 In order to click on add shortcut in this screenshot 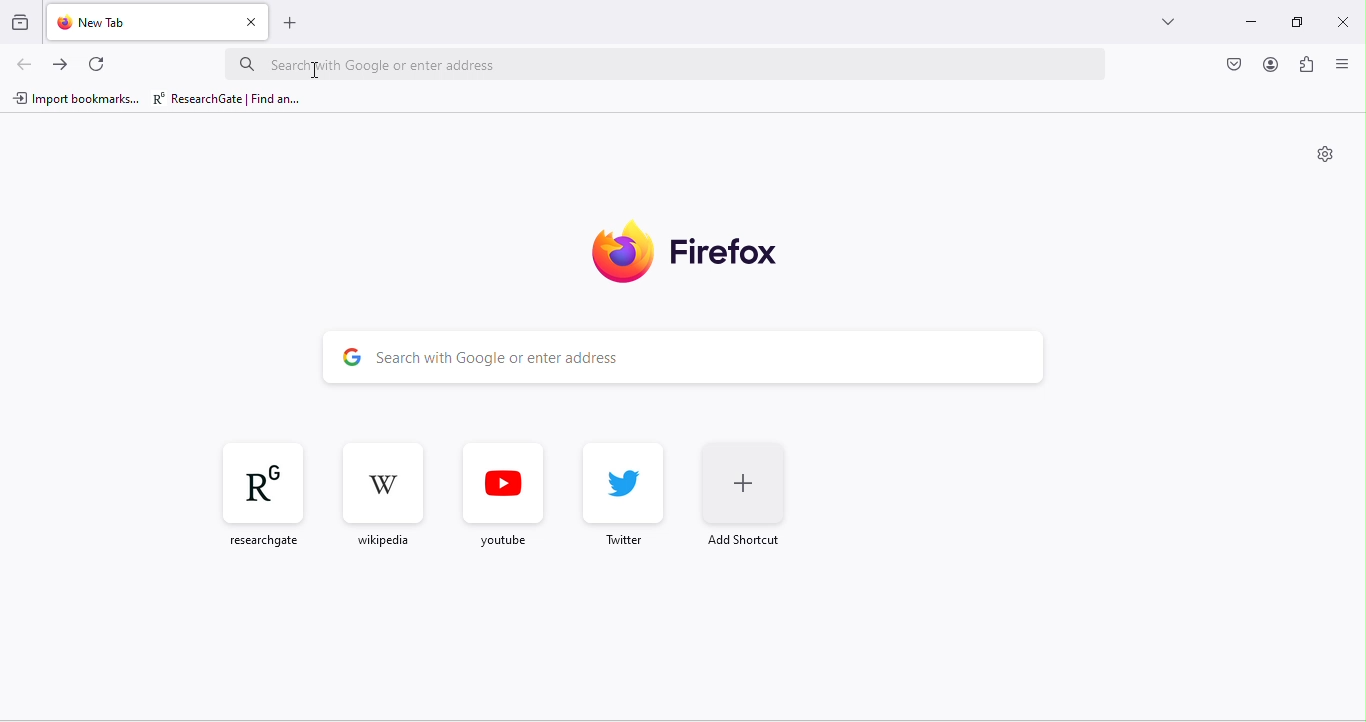, I will do `click(747, 494)`.